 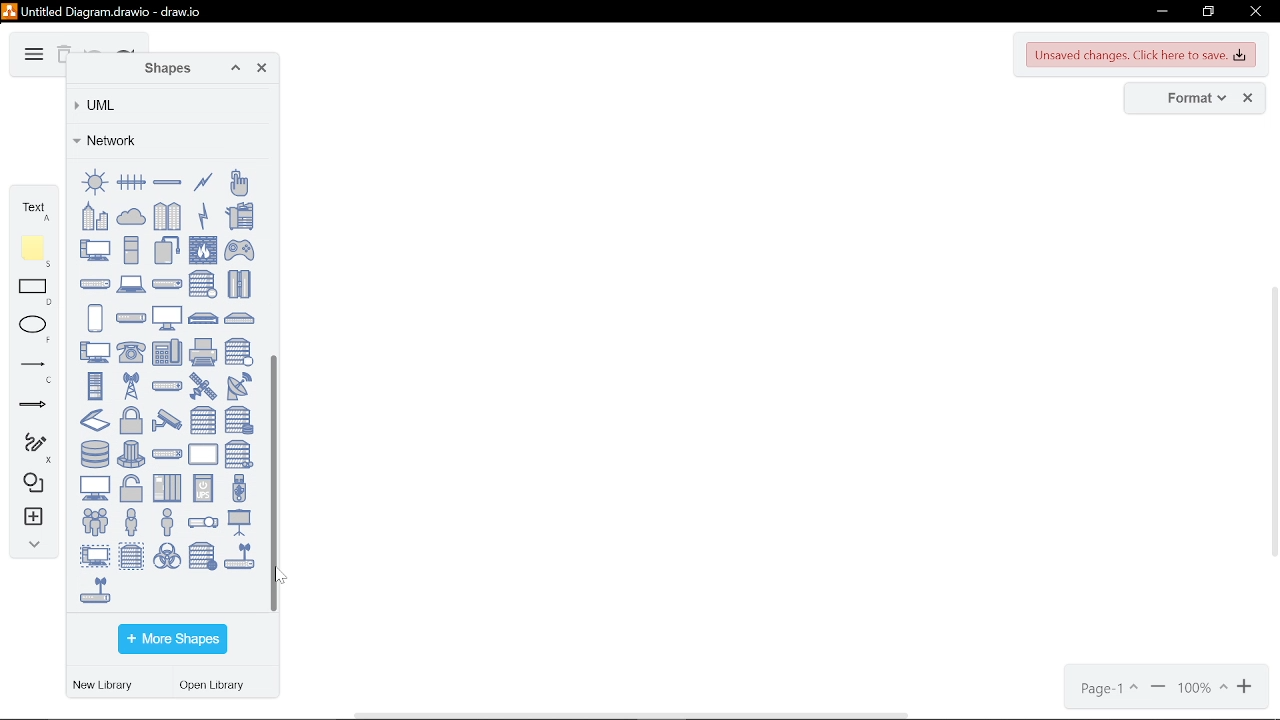 I want to click on zoom in, so click(x=1158, y=689).